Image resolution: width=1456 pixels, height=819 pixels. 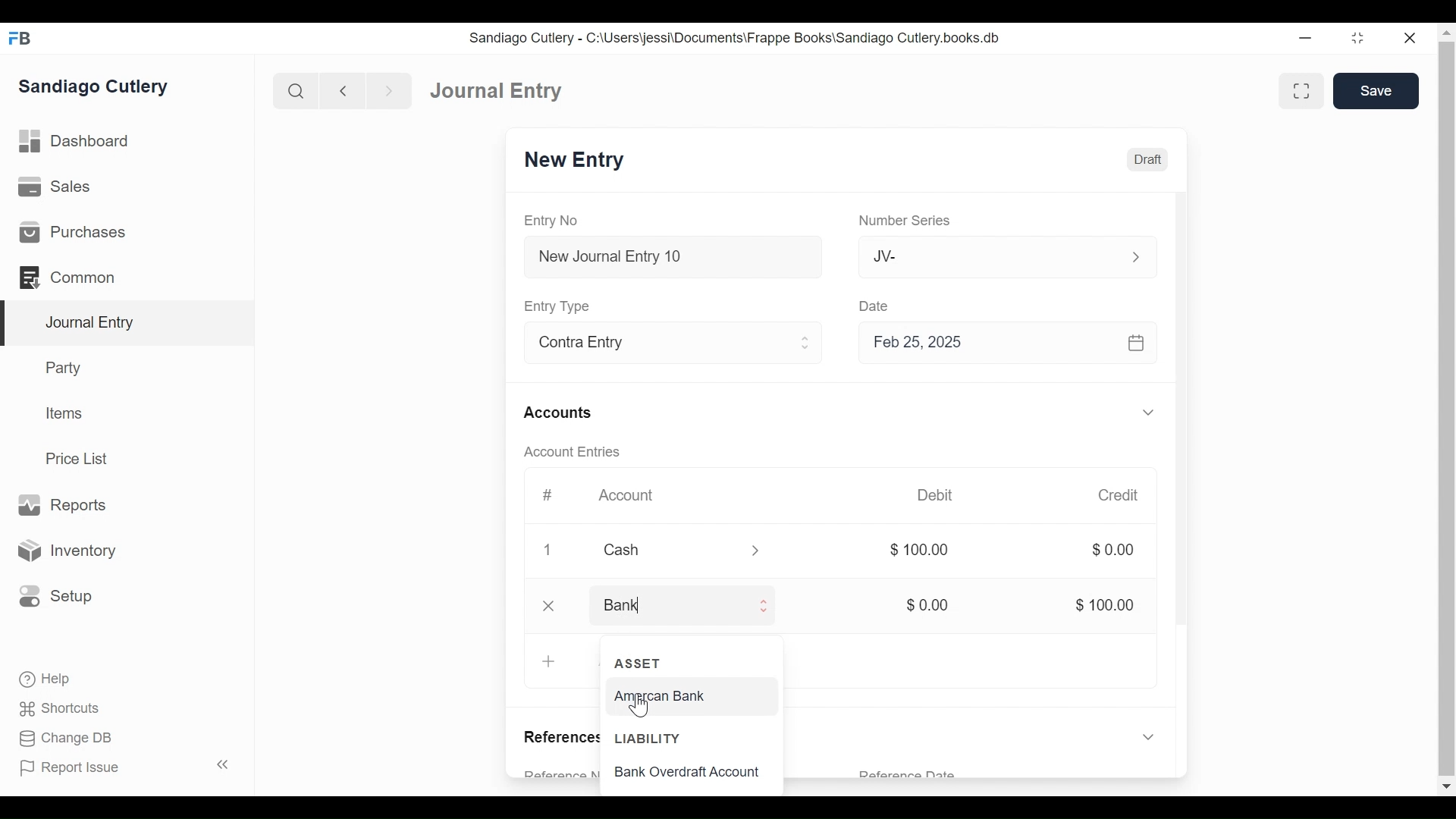 What do you see at coordinates (675, 698) in the screenshot?
I see `Amercan Bank` at bounding box center [675, 698].